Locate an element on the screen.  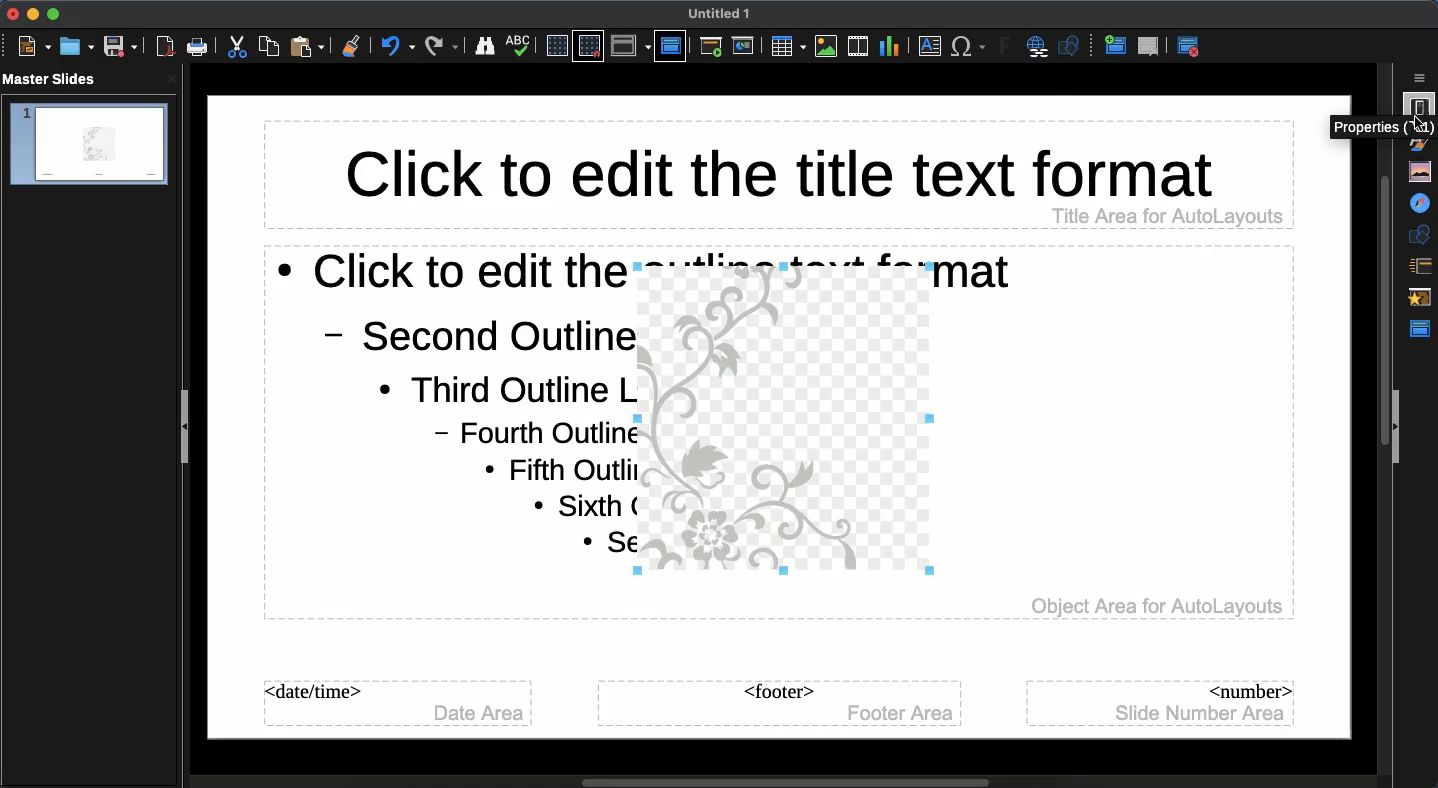
Slide transition is located at coordinates (1419, 267).